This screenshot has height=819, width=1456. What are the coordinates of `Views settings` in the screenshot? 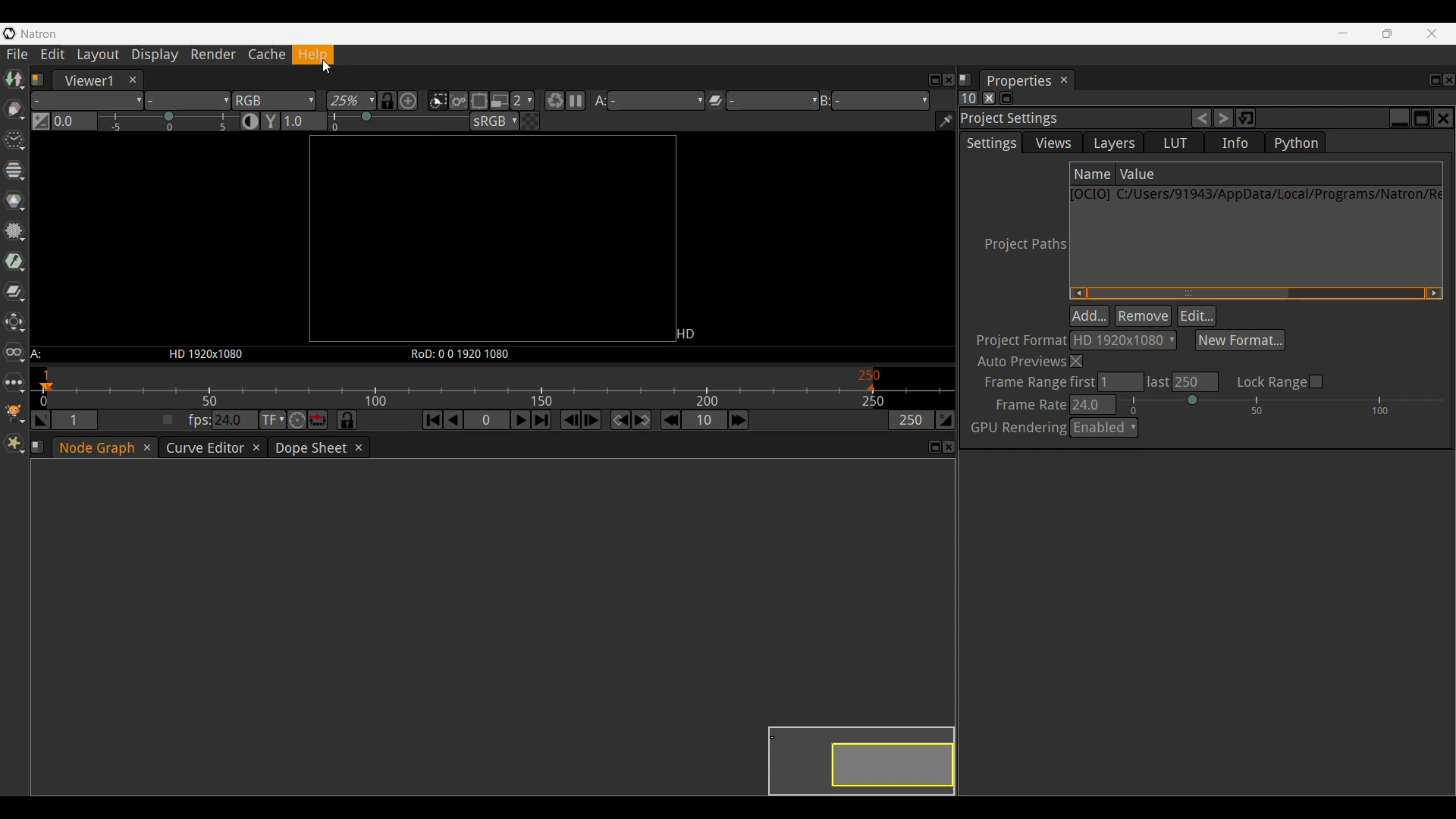 It's located at (1053, 143).